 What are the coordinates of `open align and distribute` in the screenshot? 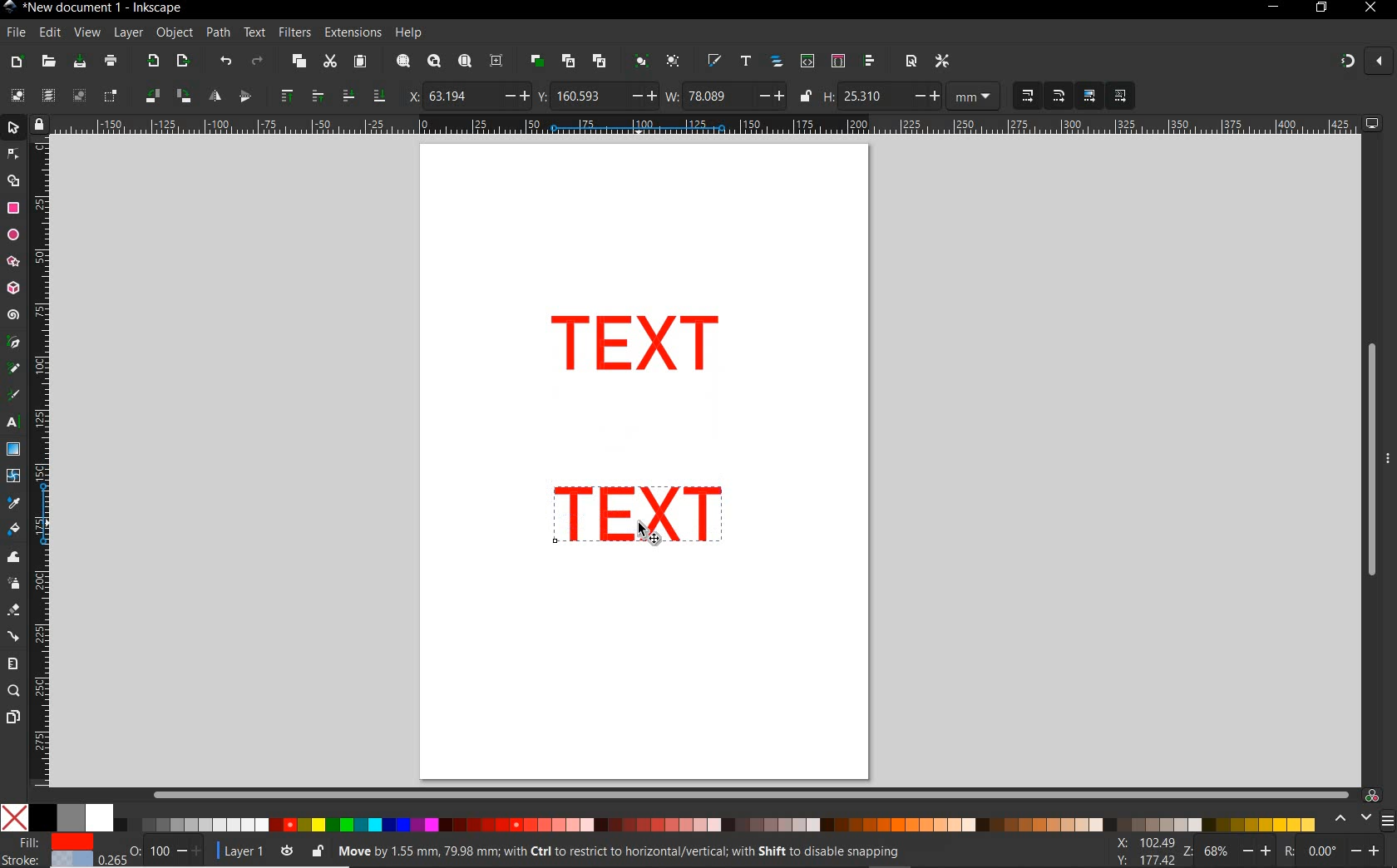 It's located at (871, 62).